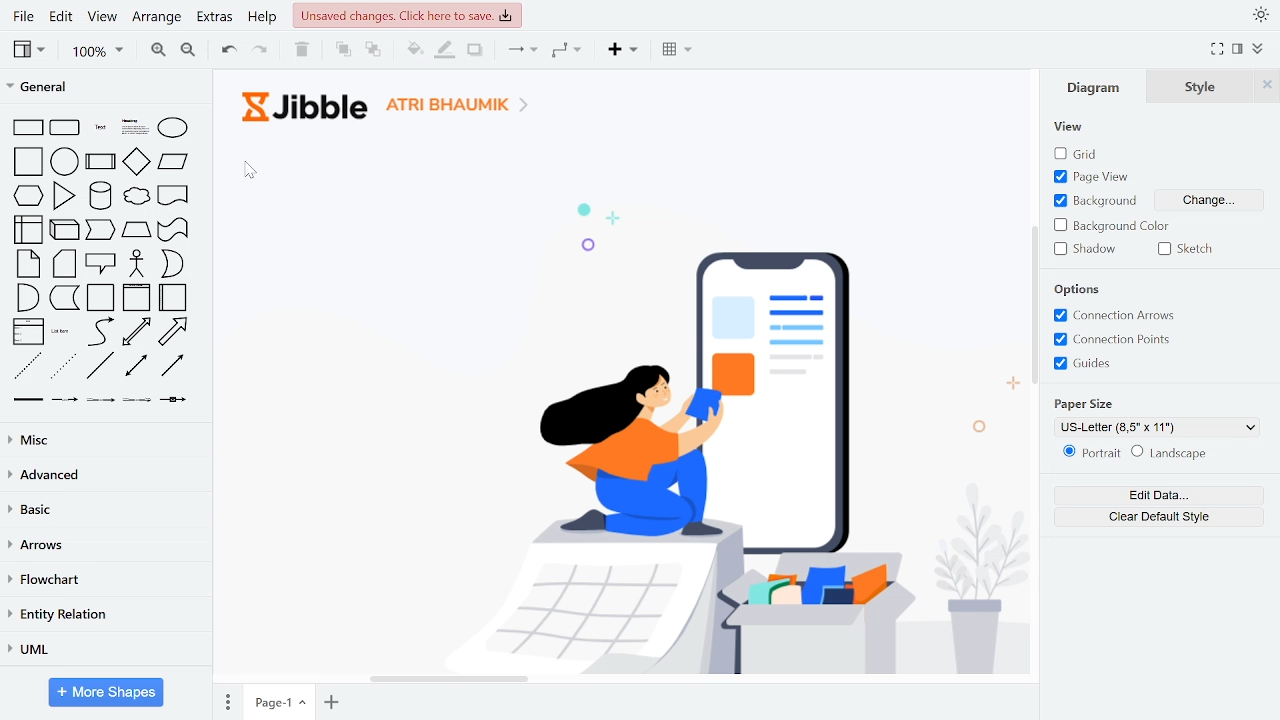 This screenshot has width=1280, height=720. What do you see at coordinates (173, 161) in the screenshot?
I see `general shapes` at bounding box center [173, 161].